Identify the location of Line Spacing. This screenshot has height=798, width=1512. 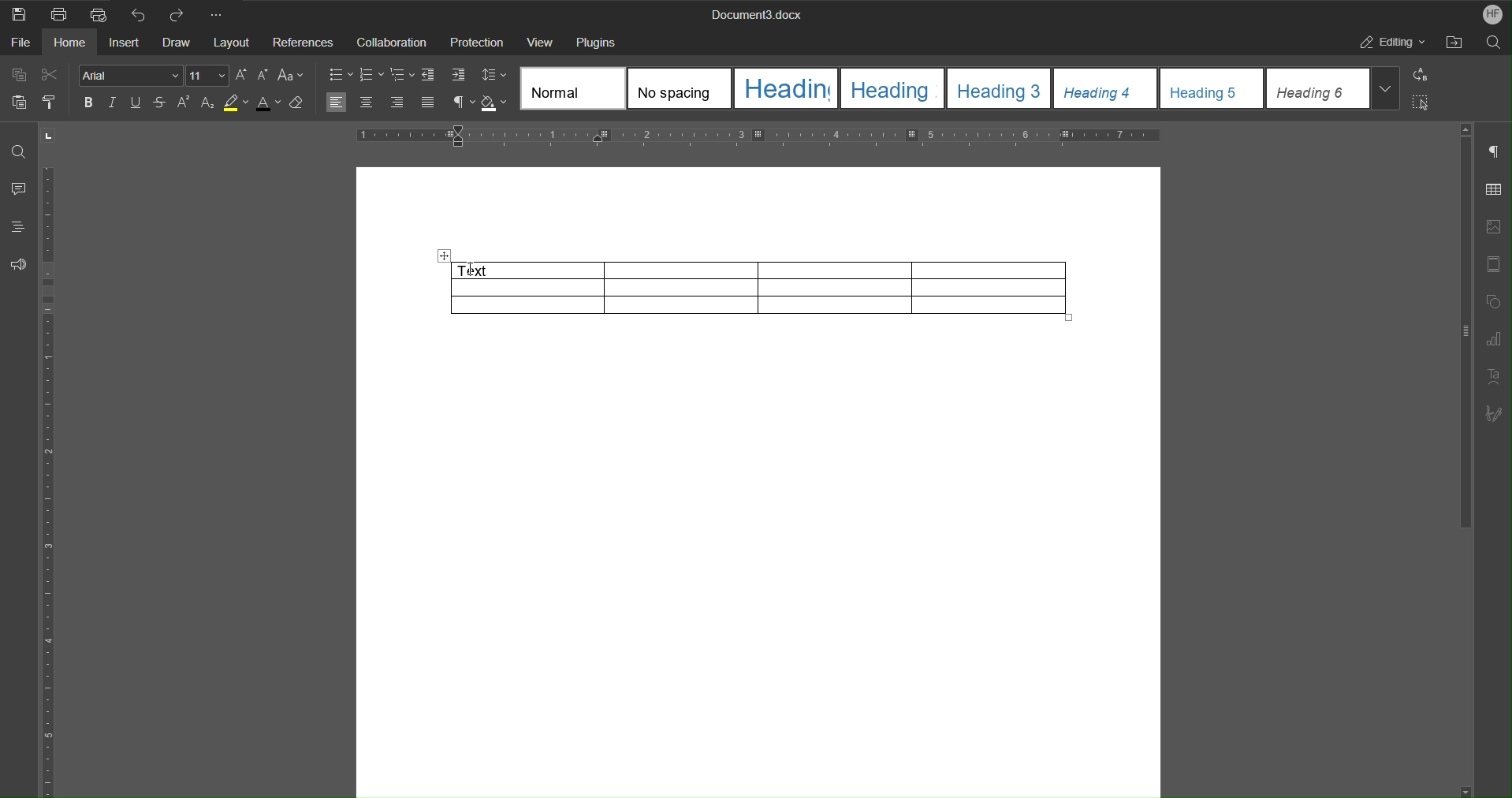
(493, 76).